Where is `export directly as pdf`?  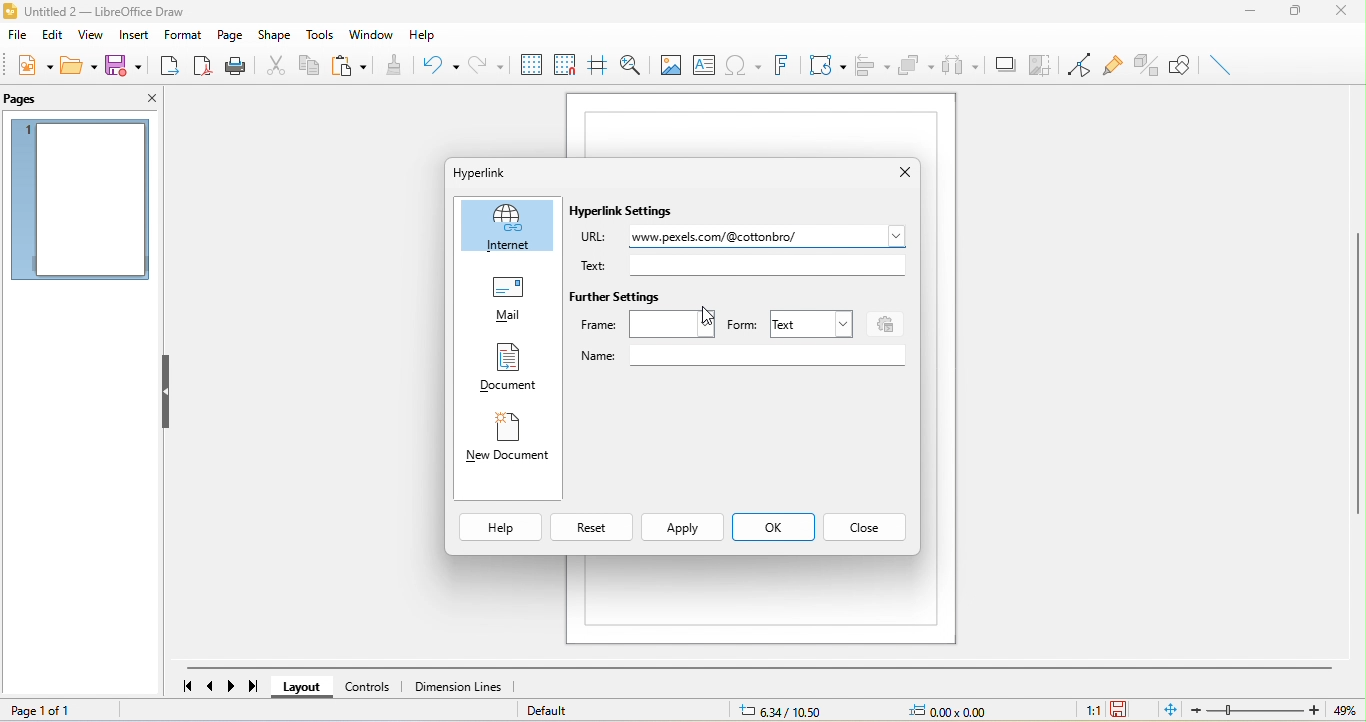 export directly as pdf is located at coordinates (205, 65).